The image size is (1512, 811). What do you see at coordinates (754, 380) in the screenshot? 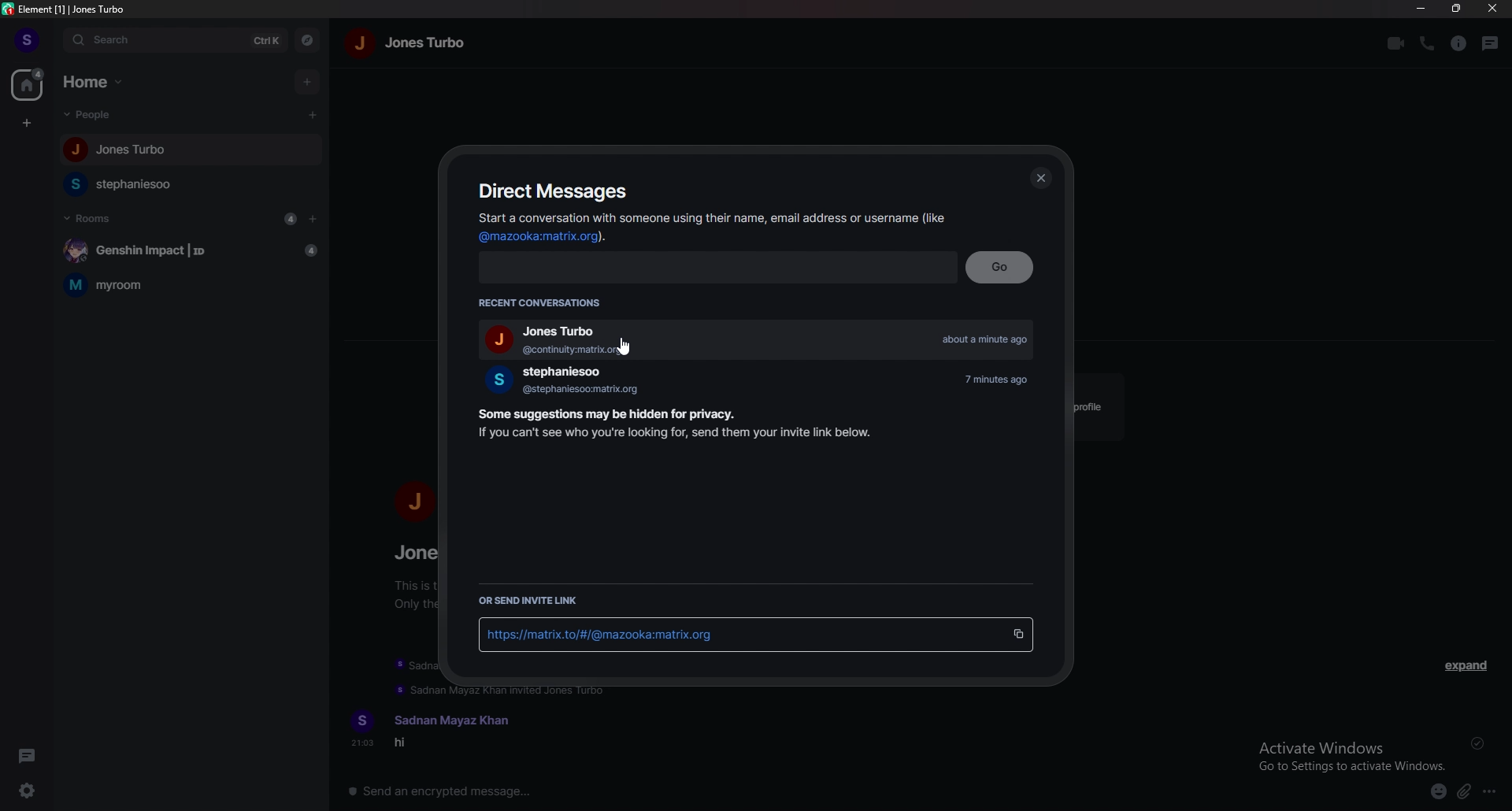
I see `stephaniesoo 7 minutes ago @stephaniesoo:matrix.org` at bounding box center [754, 380].